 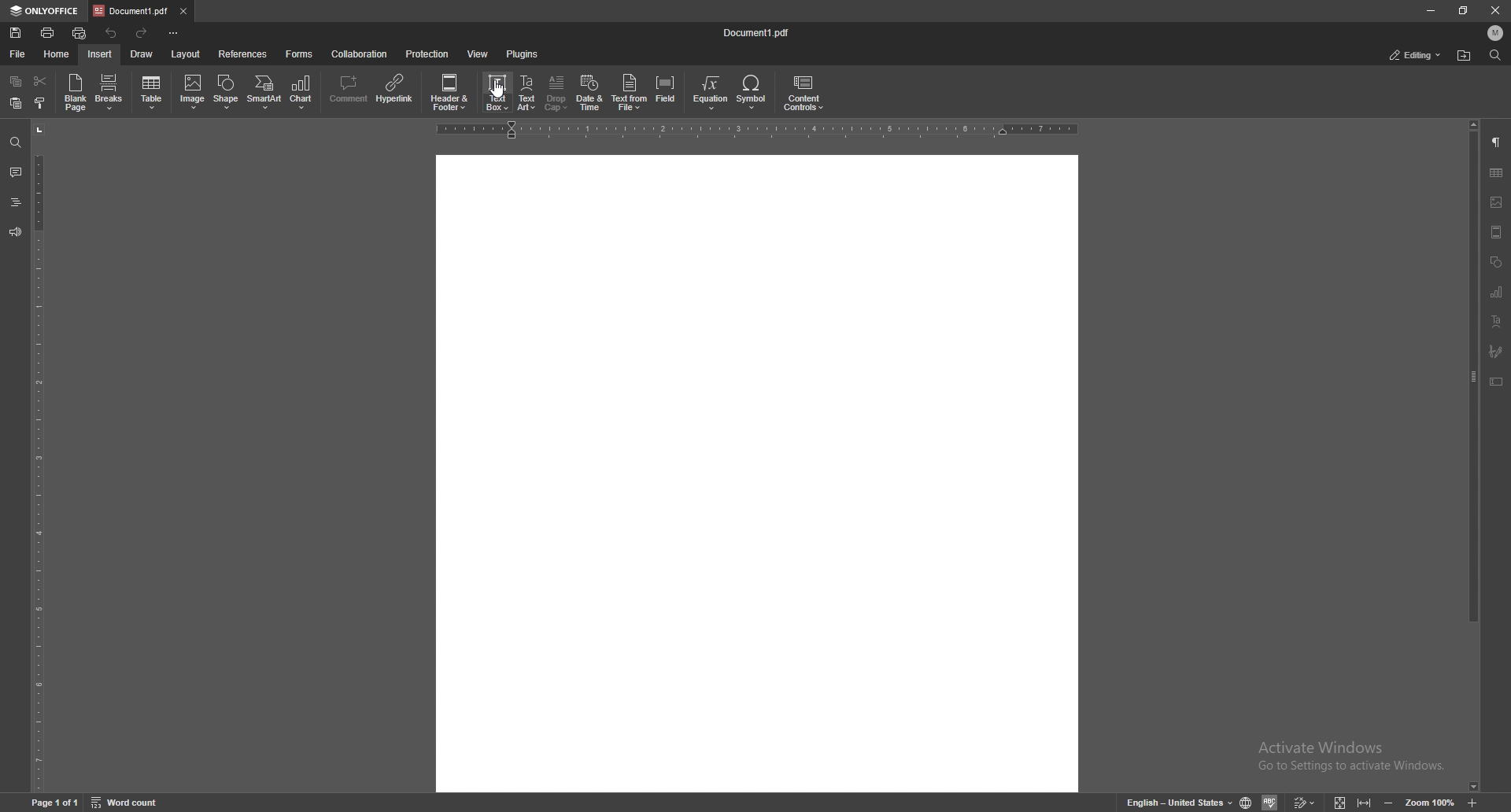 What do you see at coordinates (304, 92) in the screenshot?
I see `chart` at bounding box center [304, 92].